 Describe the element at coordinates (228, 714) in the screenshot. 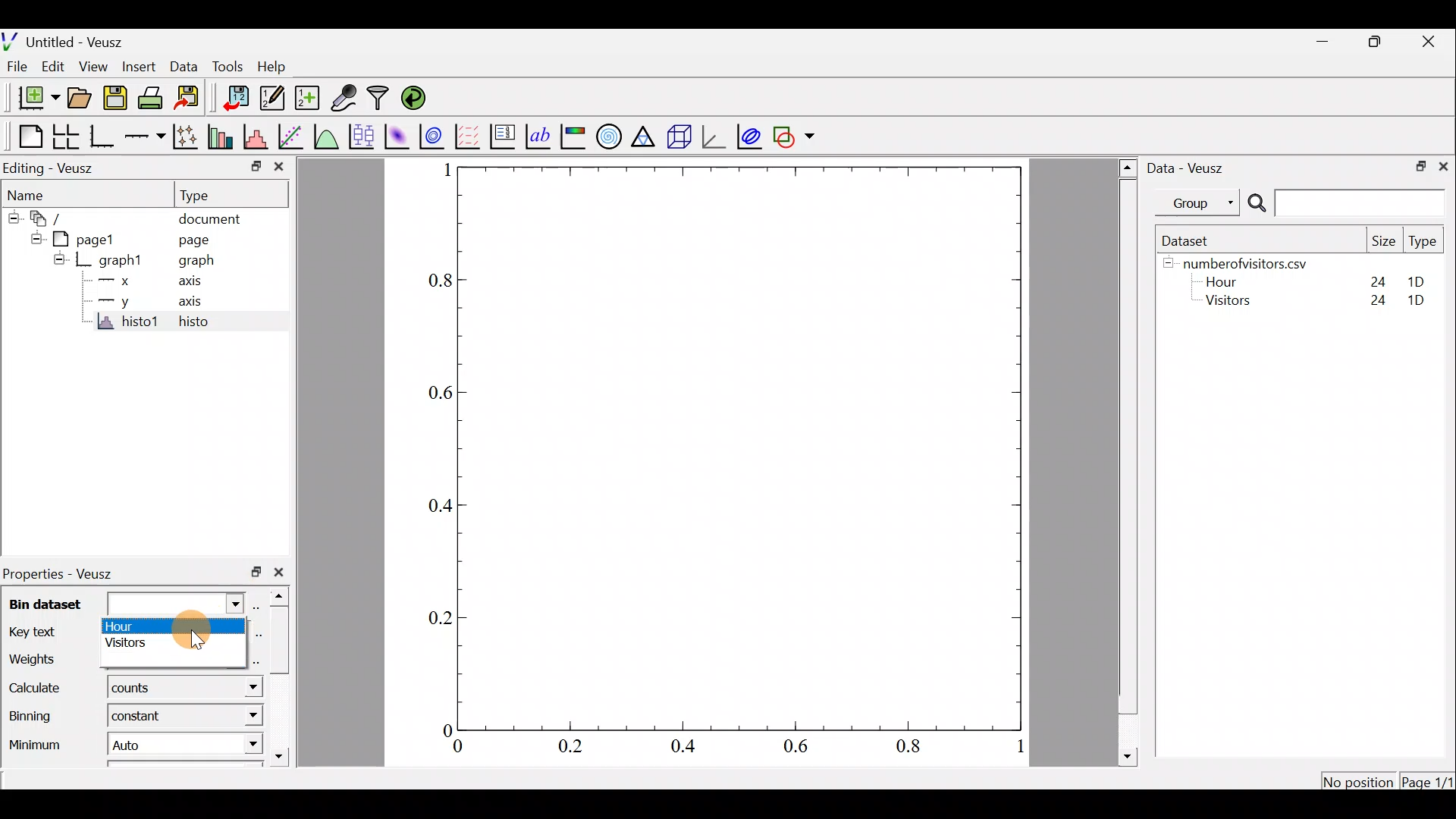

I see `Binning dropdown` at that location.